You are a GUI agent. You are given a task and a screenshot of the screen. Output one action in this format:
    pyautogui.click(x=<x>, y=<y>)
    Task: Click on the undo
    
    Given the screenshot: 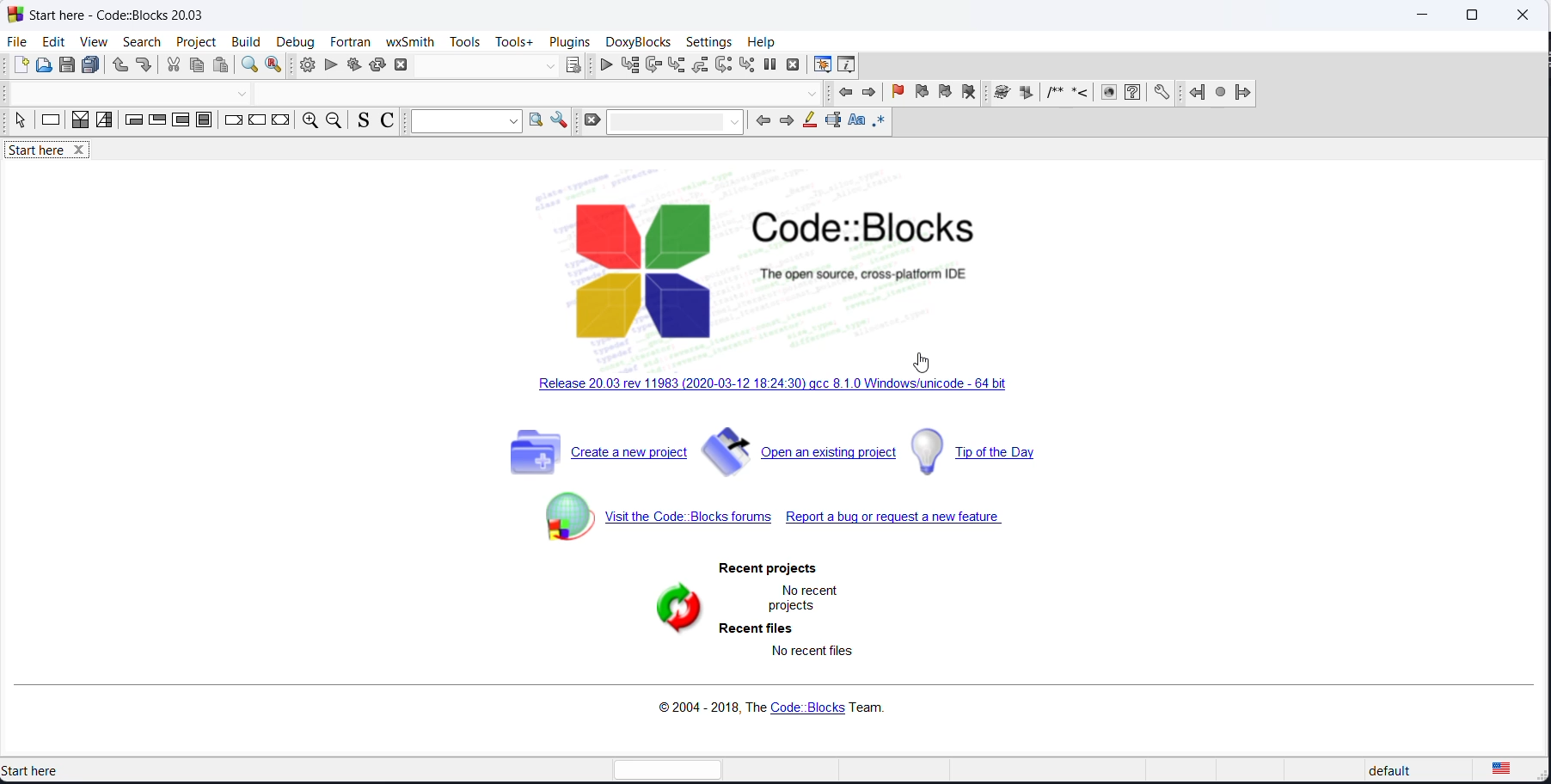 What is the action you would take?
    pyautogui.click(x=119, y=66)
    